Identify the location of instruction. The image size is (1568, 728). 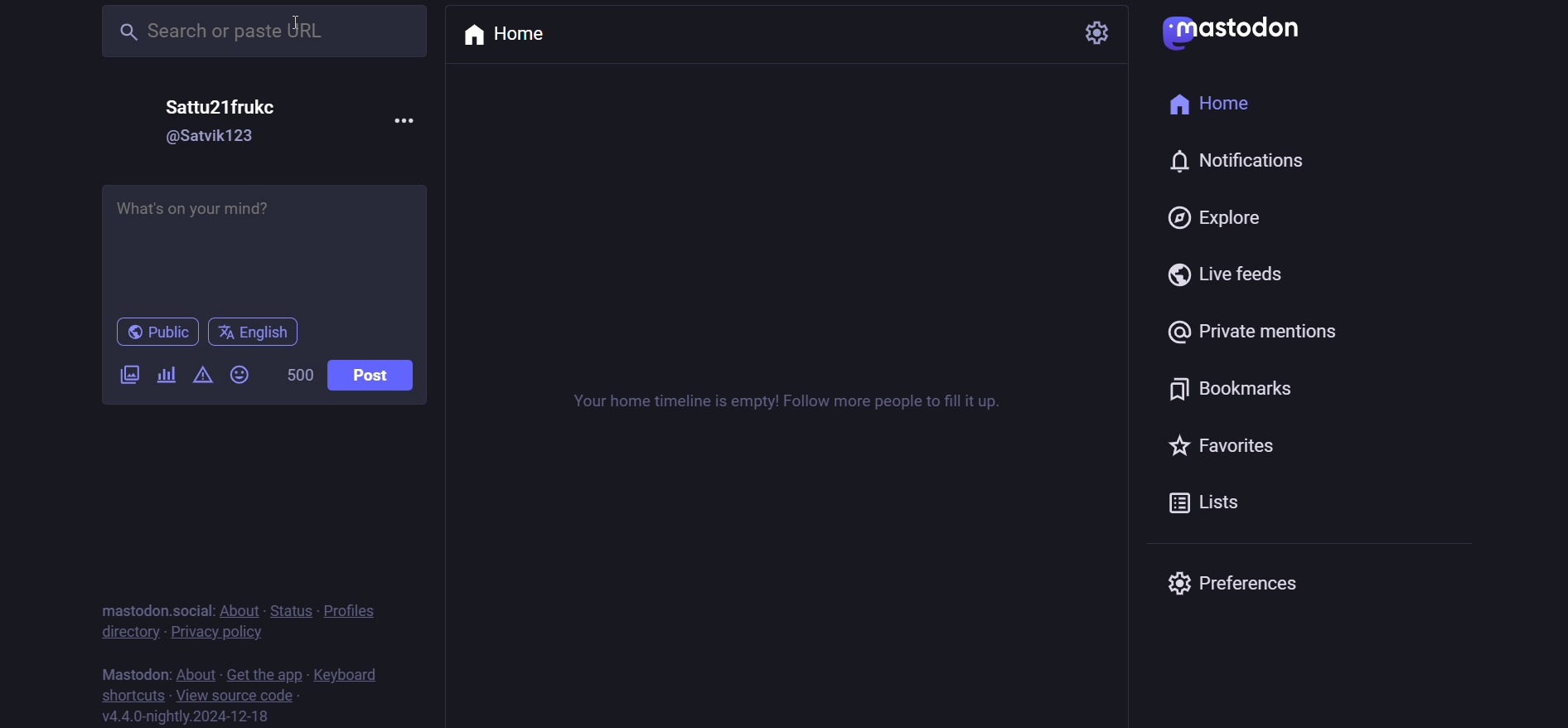
(789, 410).